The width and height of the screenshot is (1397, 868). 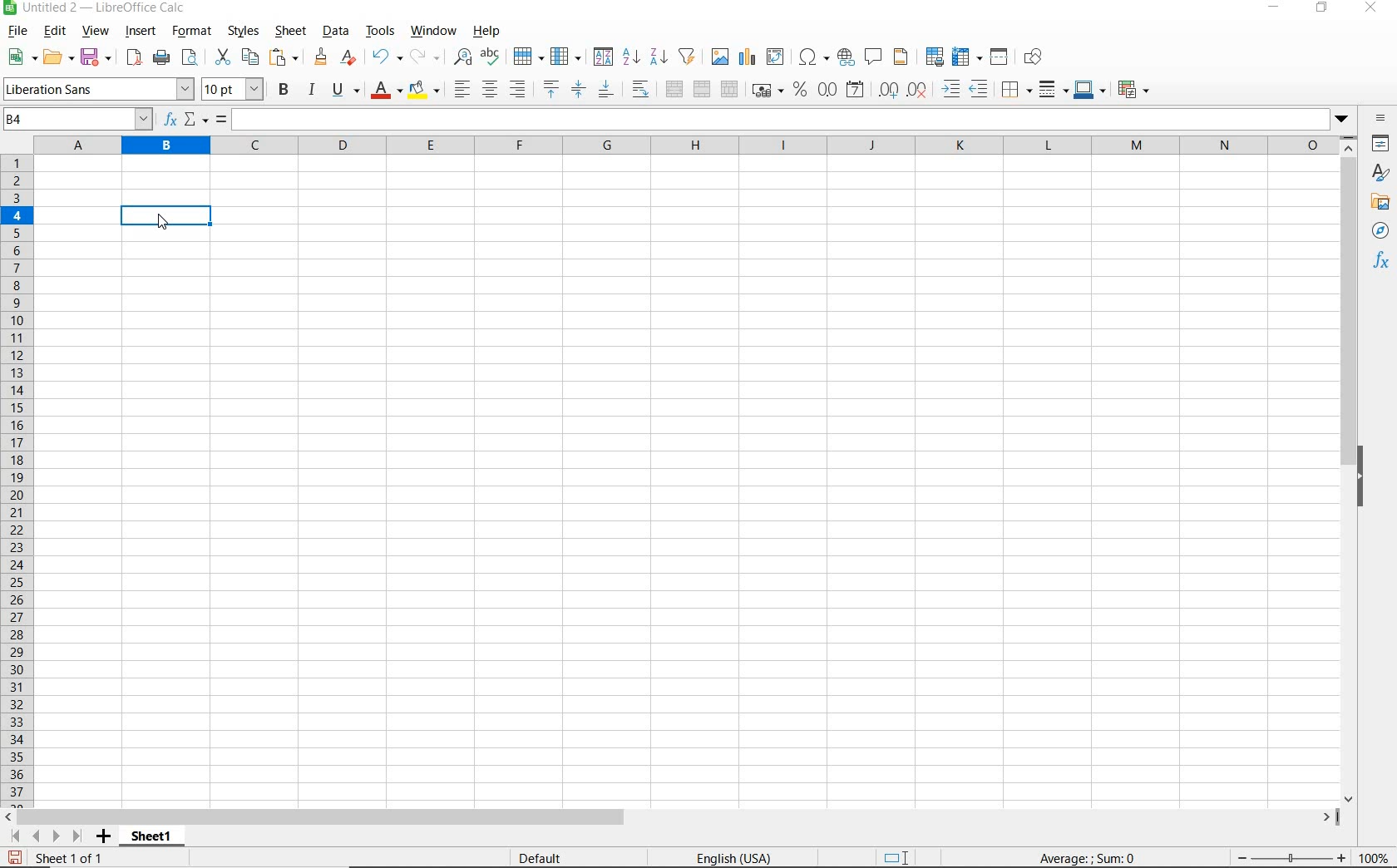 I want to click on sort descending, so click(x=660, y=59).